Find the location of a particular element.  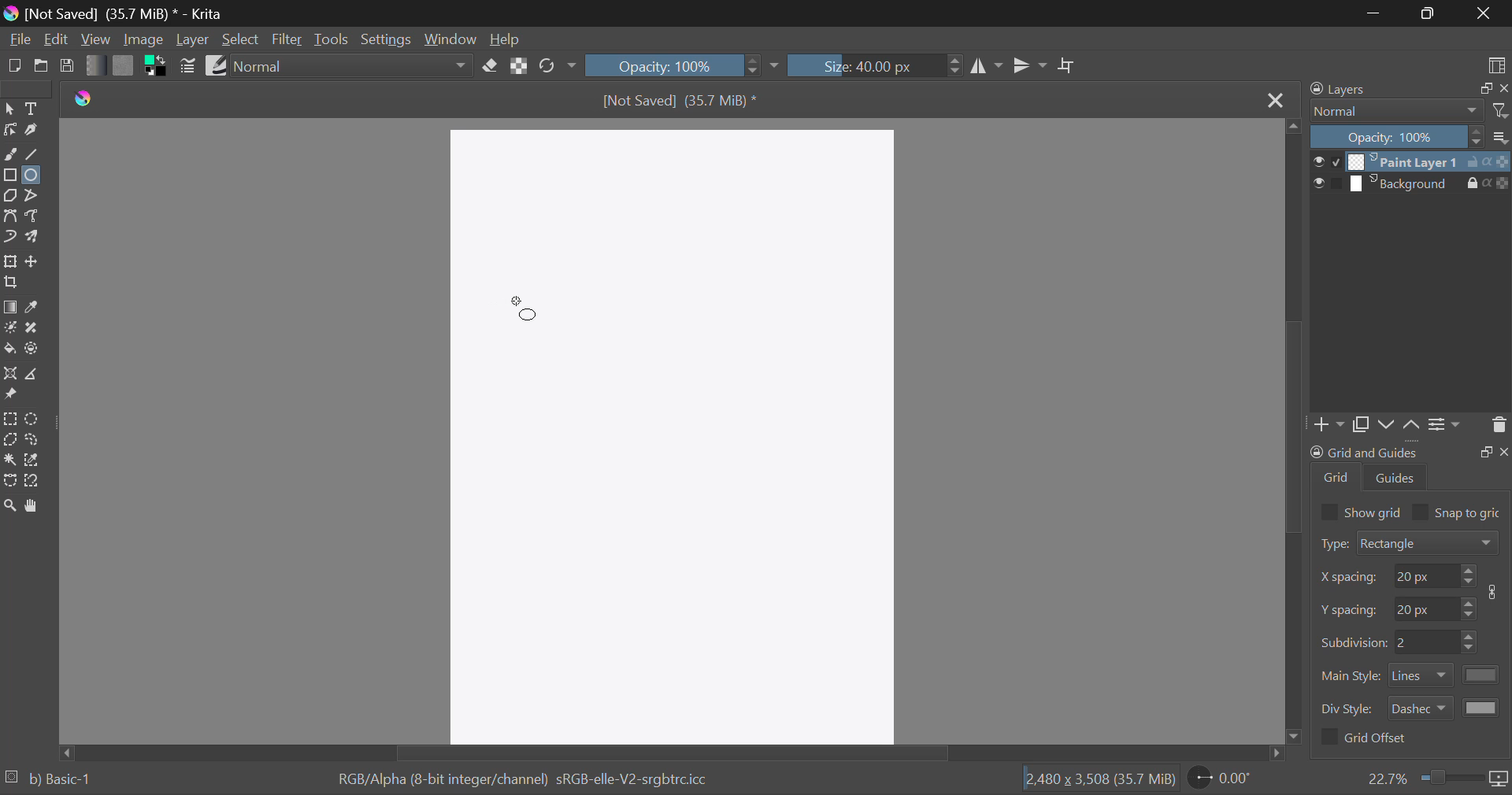

Select is located at coordinates (241, 39).